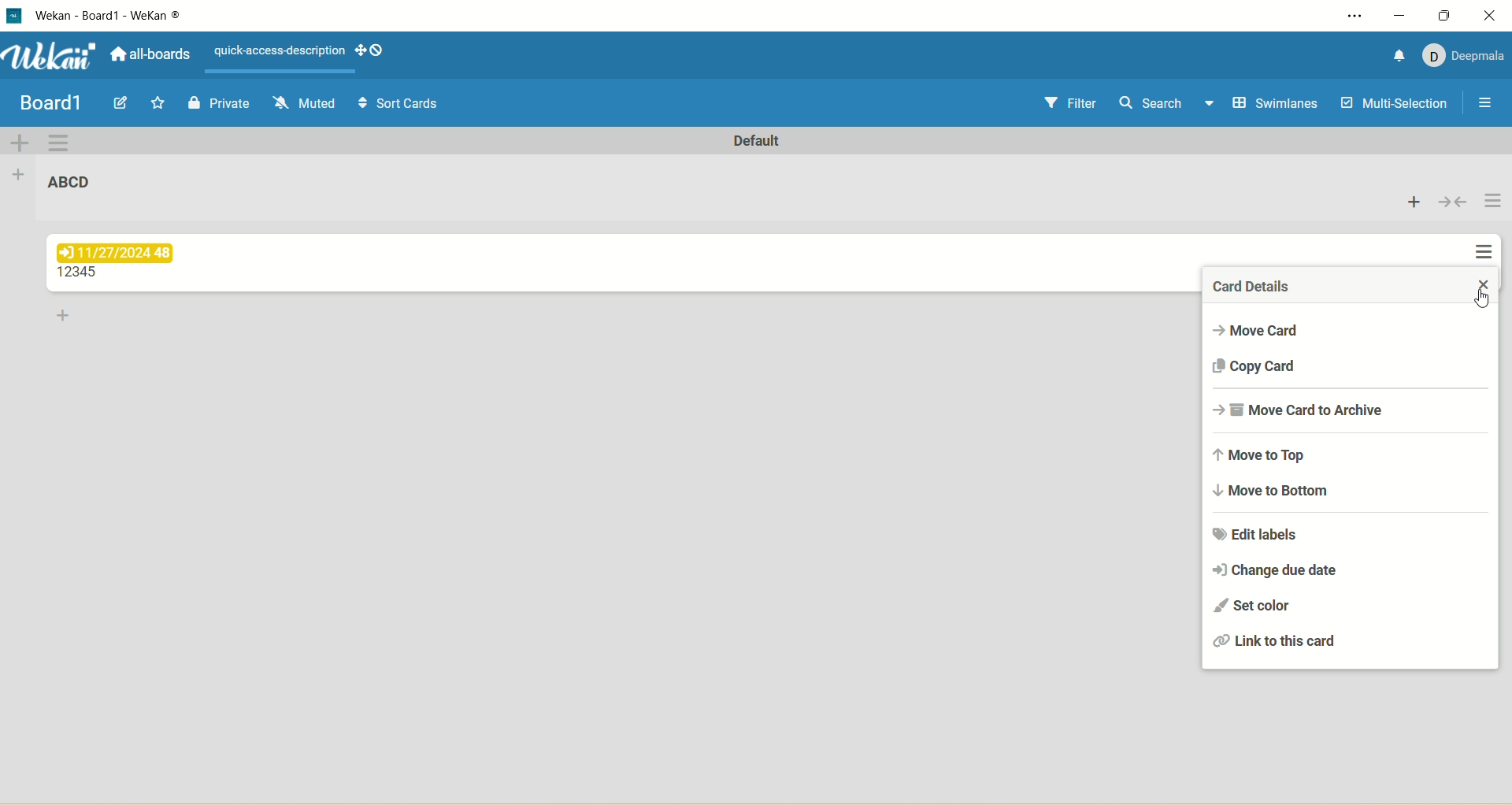  What do you see at coordinates (1074, 104) in the screenshot?
I see `filter` at bounding box center [1074, 104].